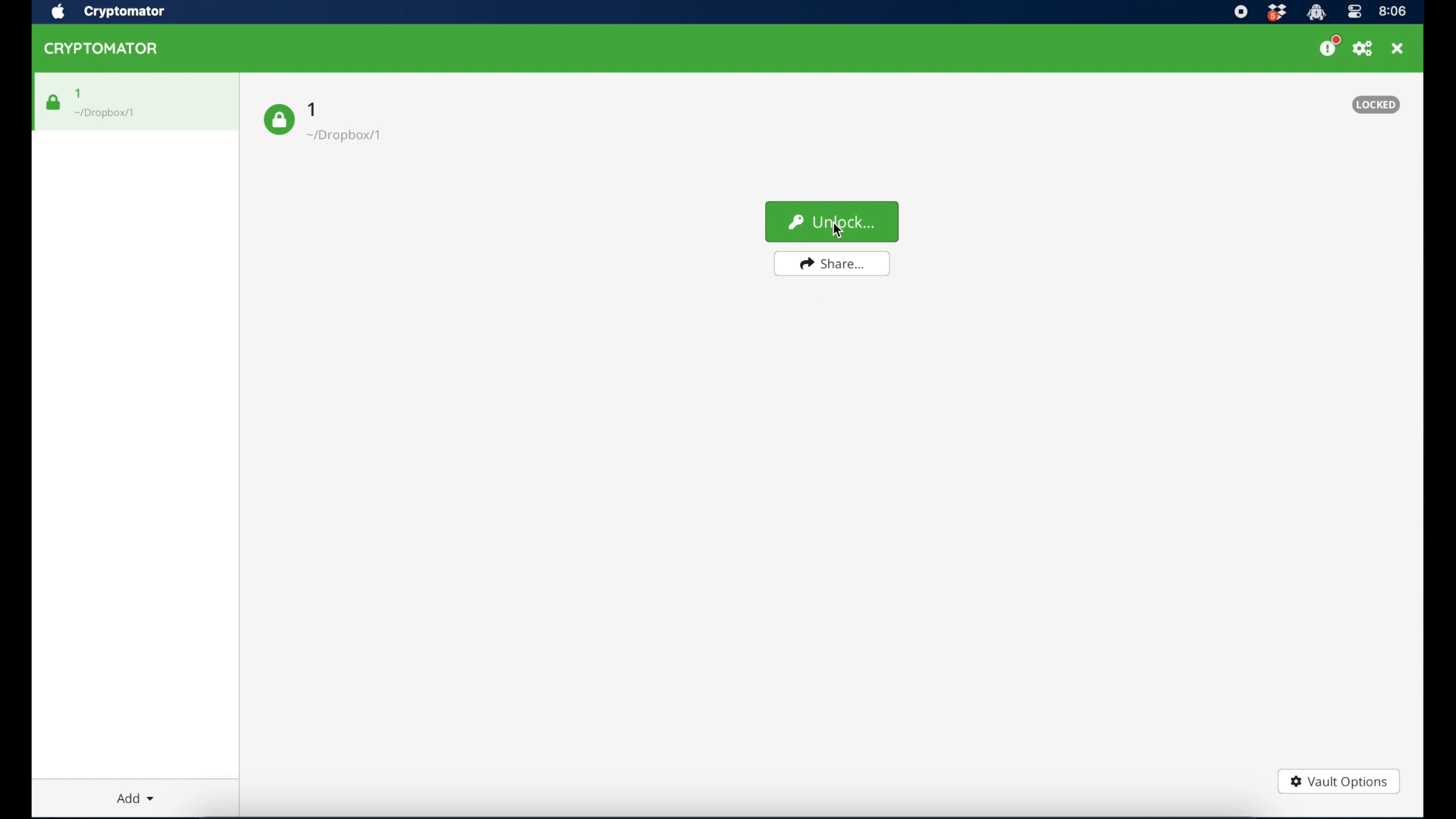 This screenshot has width=1456, height=819. Describe the element at coordinates (106, 112) in the screenshot. I see `location` at that location.